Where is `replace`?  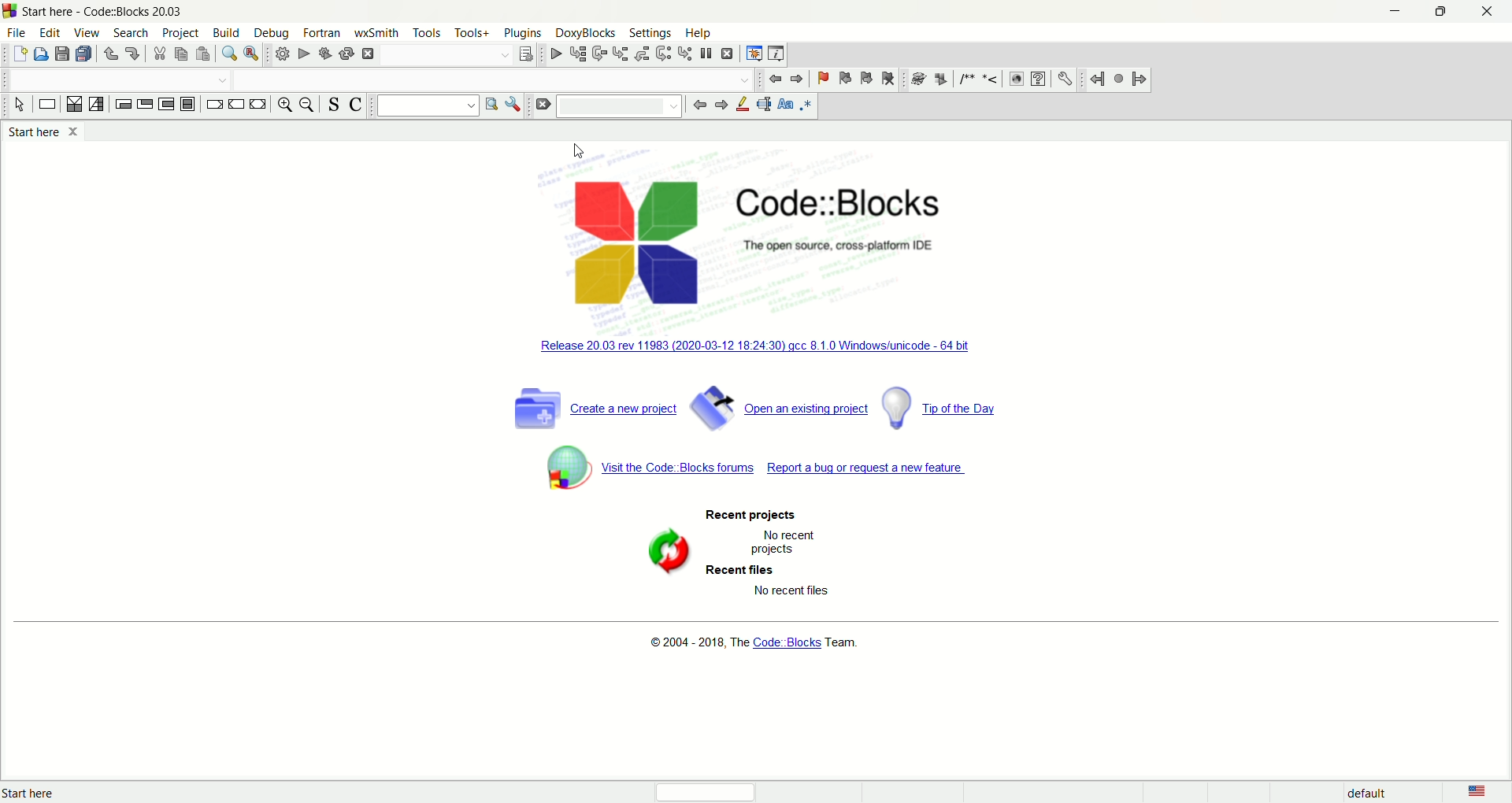
replace is located at coordinates (253, 53).